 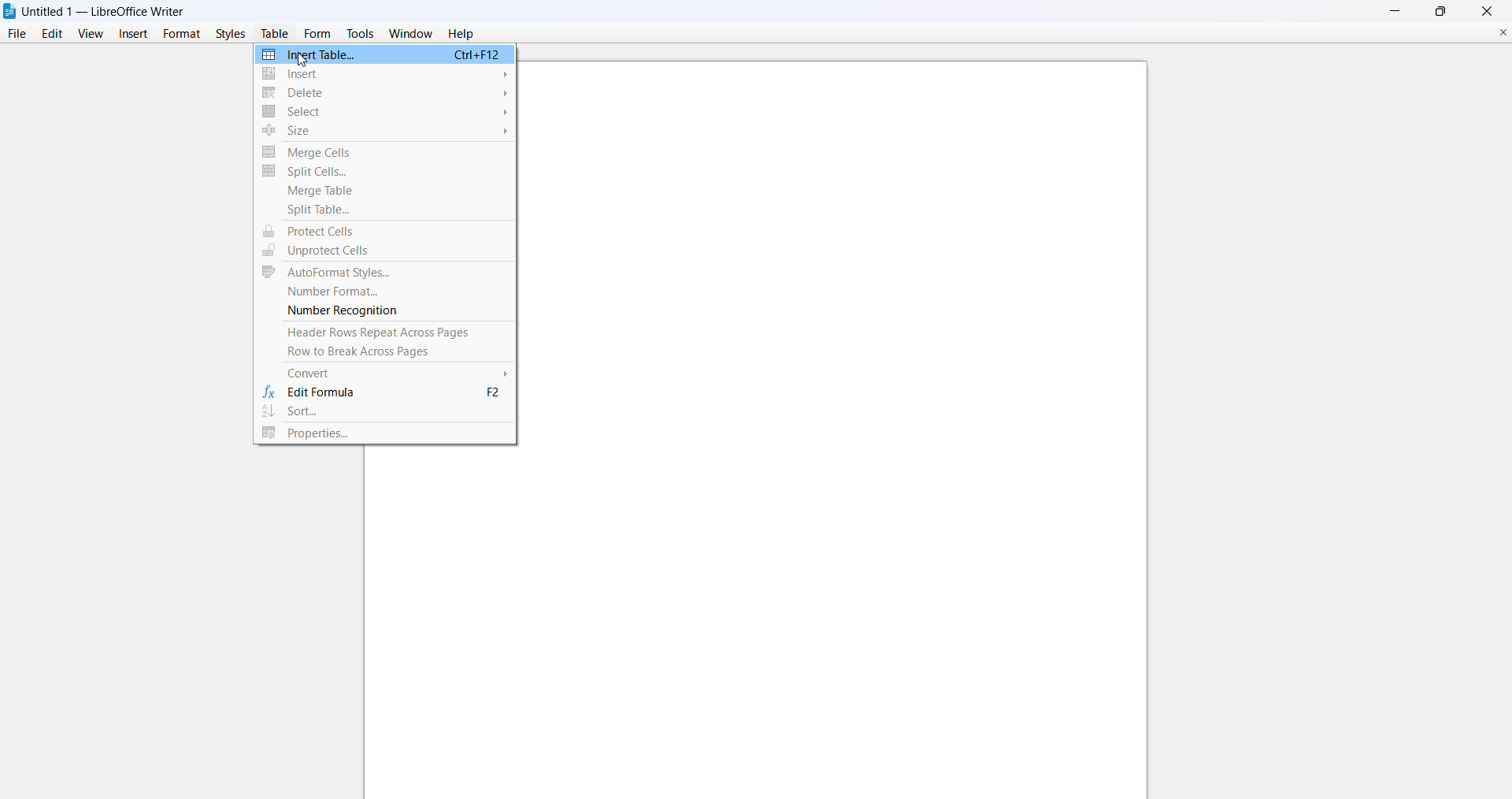 I want to click on insert, so click(x=134, y=33).